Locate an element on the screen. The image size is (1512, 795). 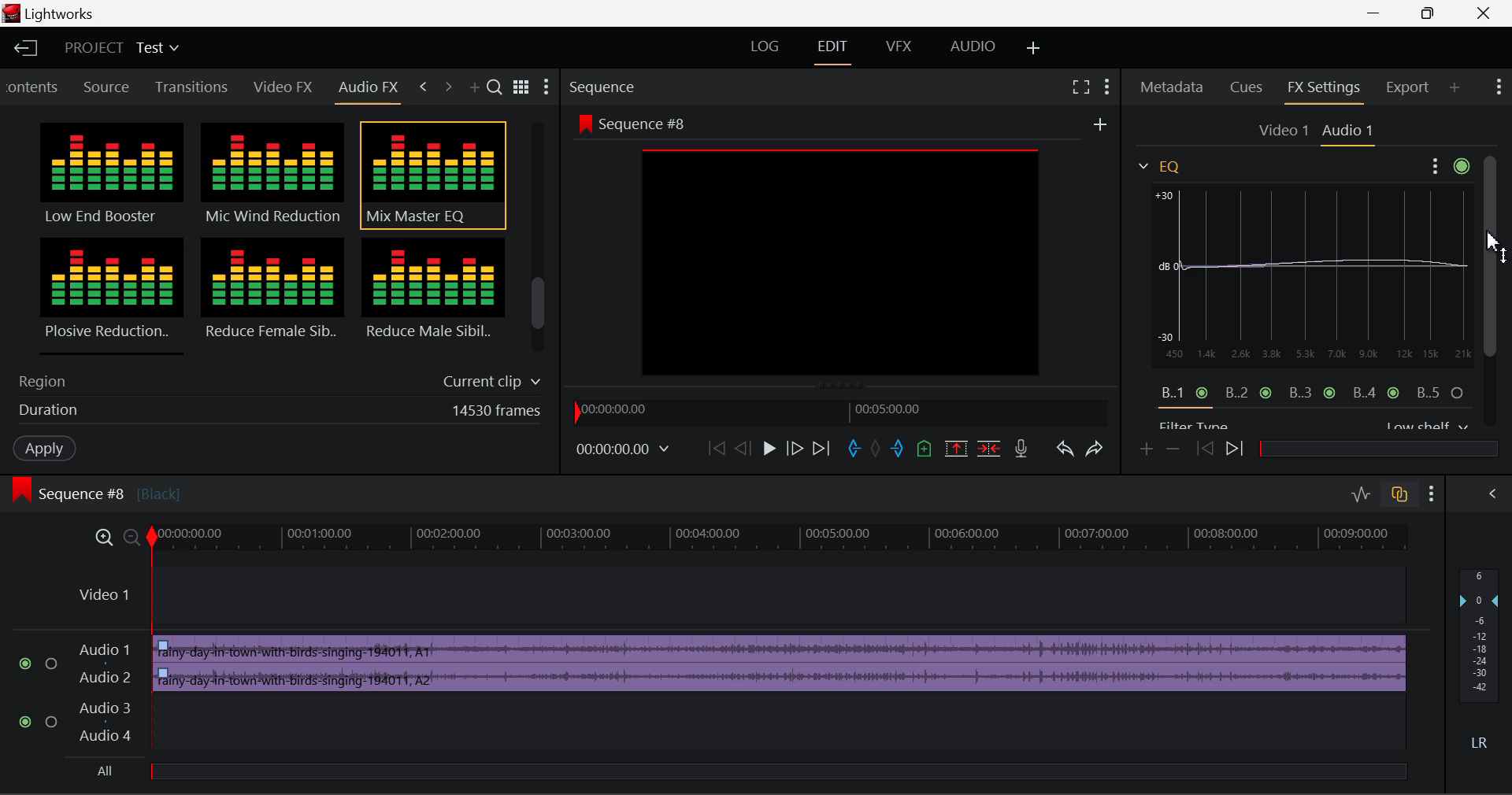
Record Voiceover is located at coordinates (1020, 449).